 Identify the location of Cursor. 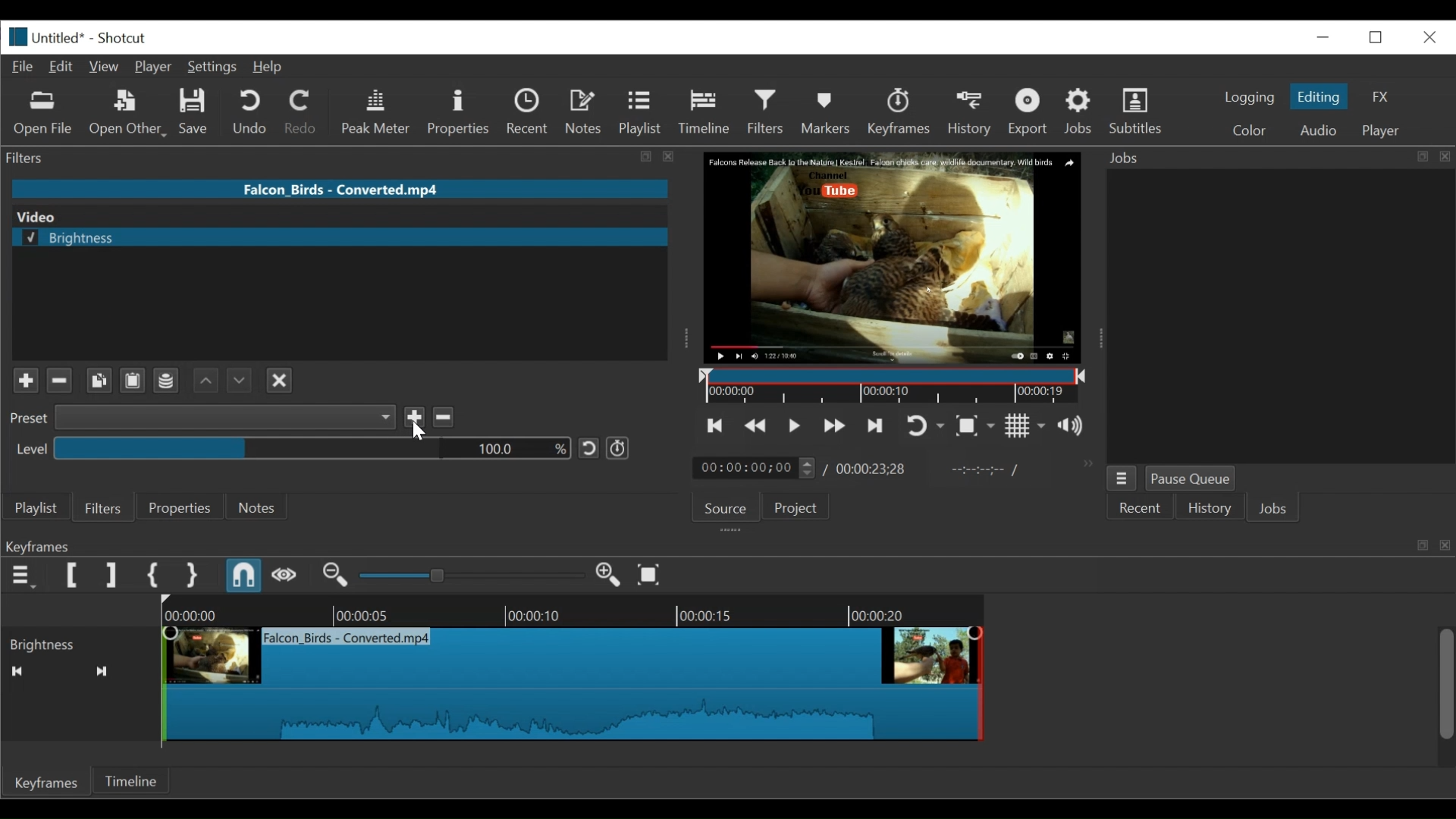
(422, 434).